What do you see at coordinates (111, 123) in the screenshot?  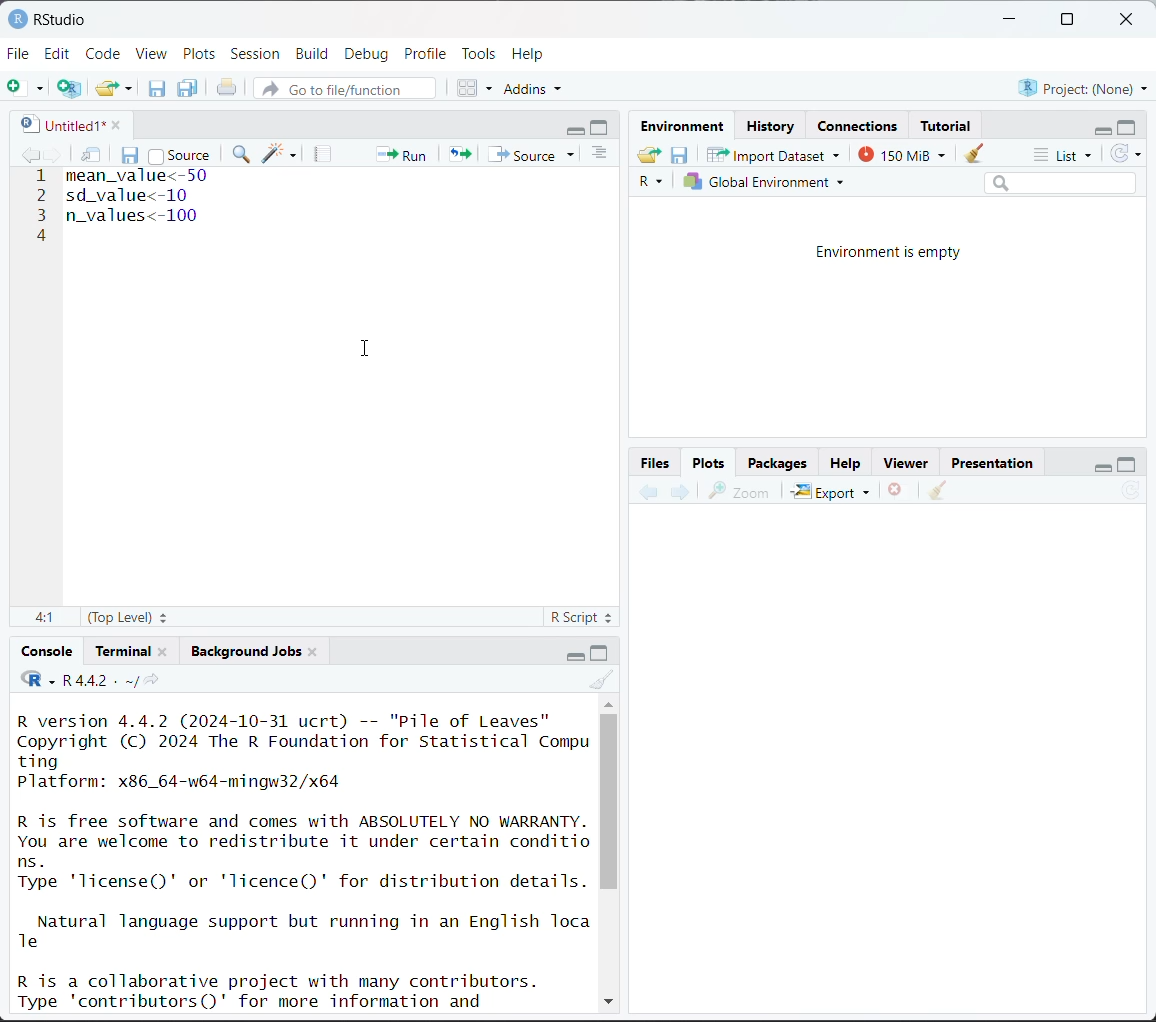 I see `close` at bounding box center [111, 123].